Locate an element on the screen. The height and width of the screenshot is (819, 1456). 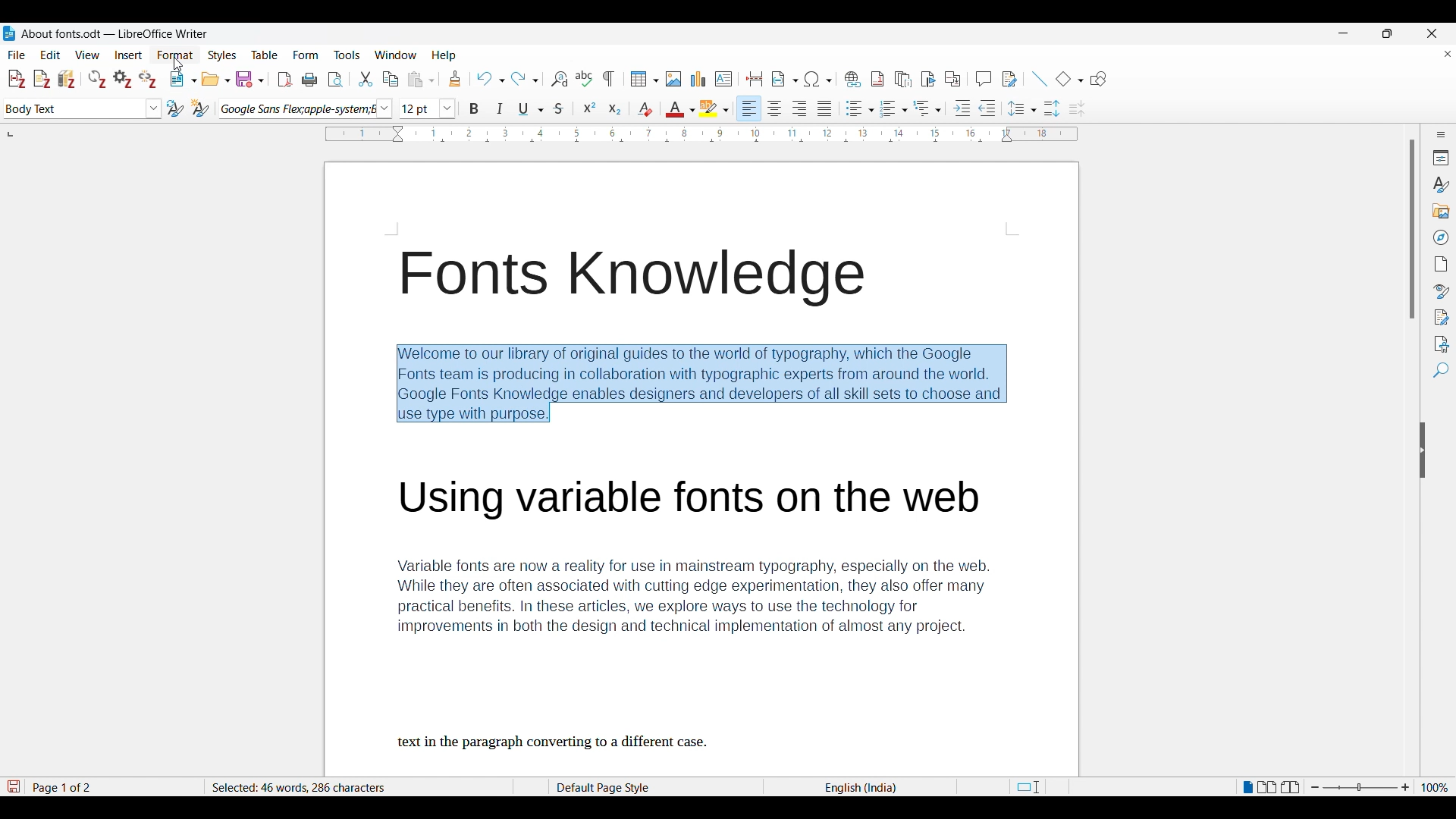
Paste is located at coordinates (421, 79).